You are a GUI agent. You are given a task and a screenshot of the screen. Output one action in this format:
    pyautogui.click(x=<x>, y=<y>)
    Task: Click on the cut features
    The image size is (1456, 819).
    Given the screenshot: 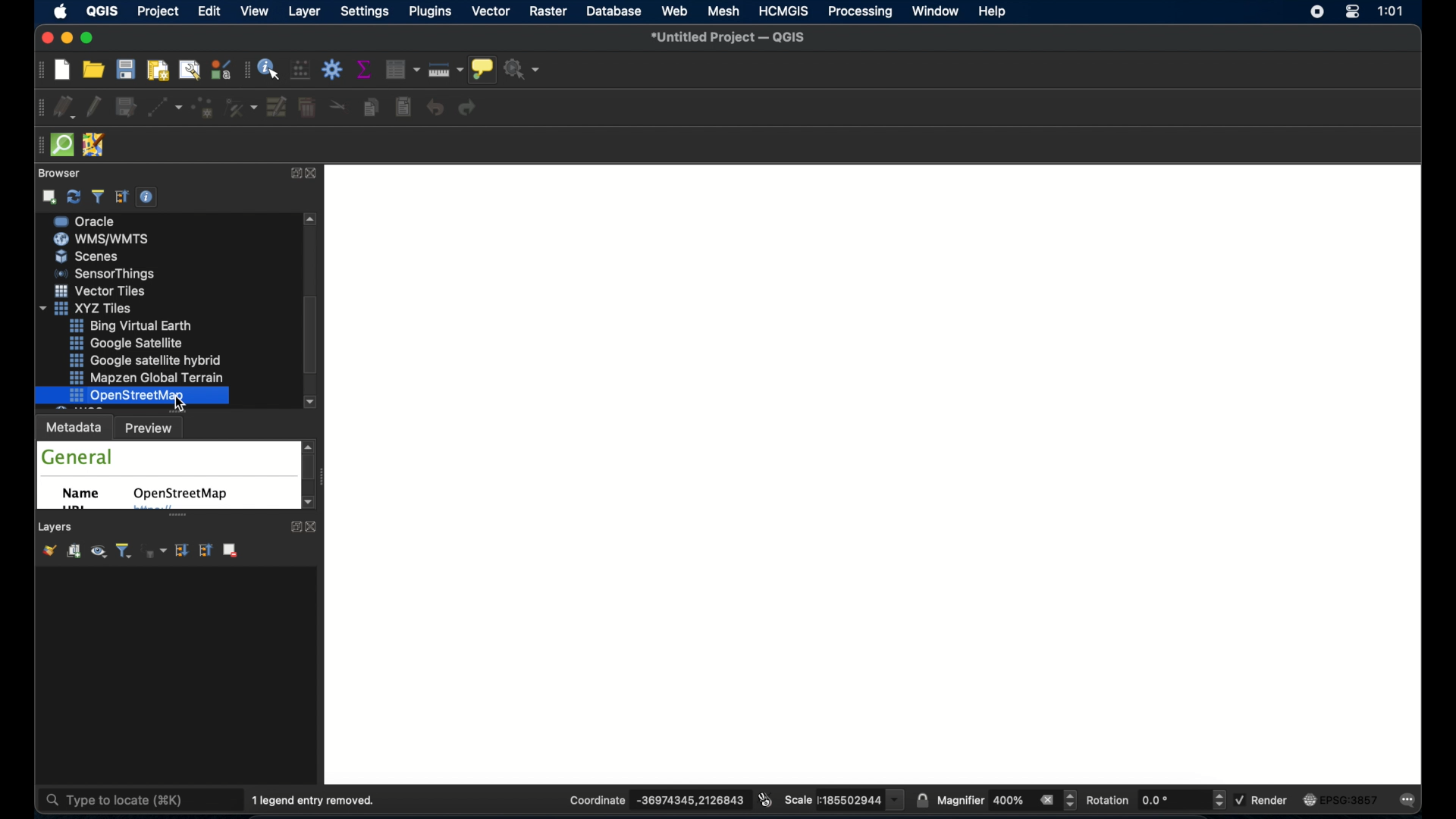 What is the action you would take?
    pyautogui.click(x=337, y=105)
    